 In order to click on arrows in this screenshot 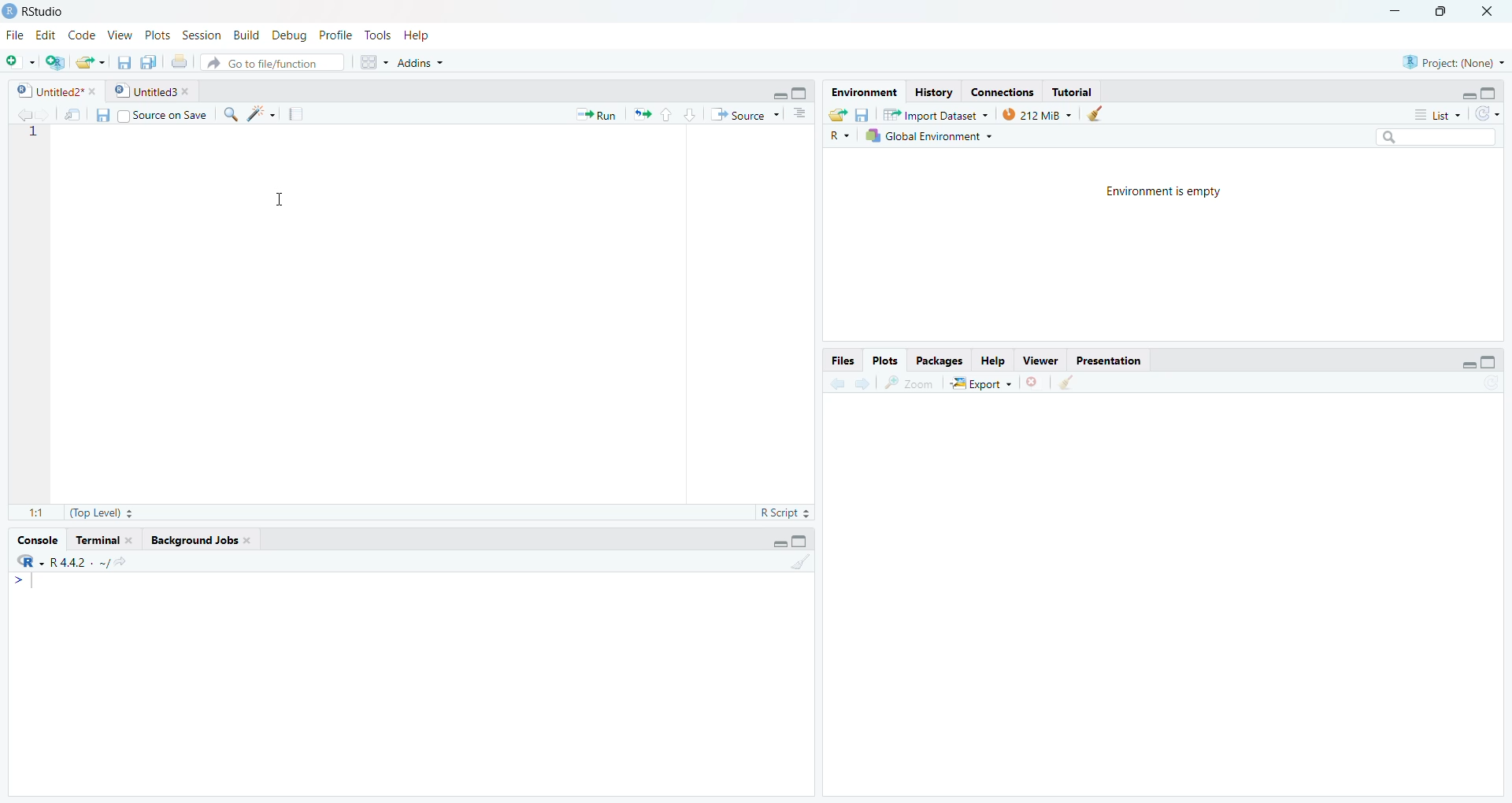, I will do `click(639, 115)`.